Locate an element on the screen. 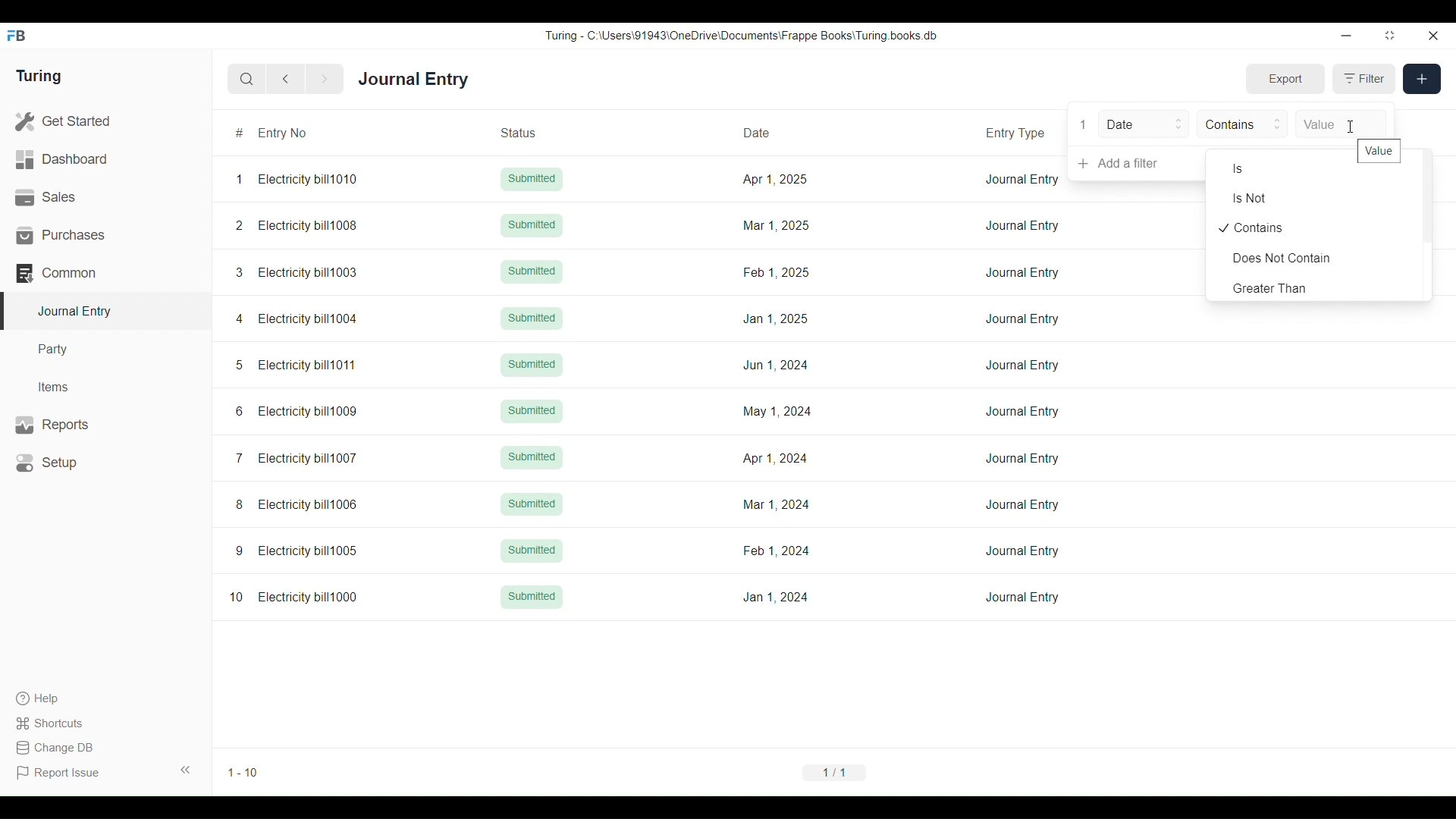 Image resolution: width=1456 pixels, height=819 pixels. 1/1 is located at coordinates (834, 772).